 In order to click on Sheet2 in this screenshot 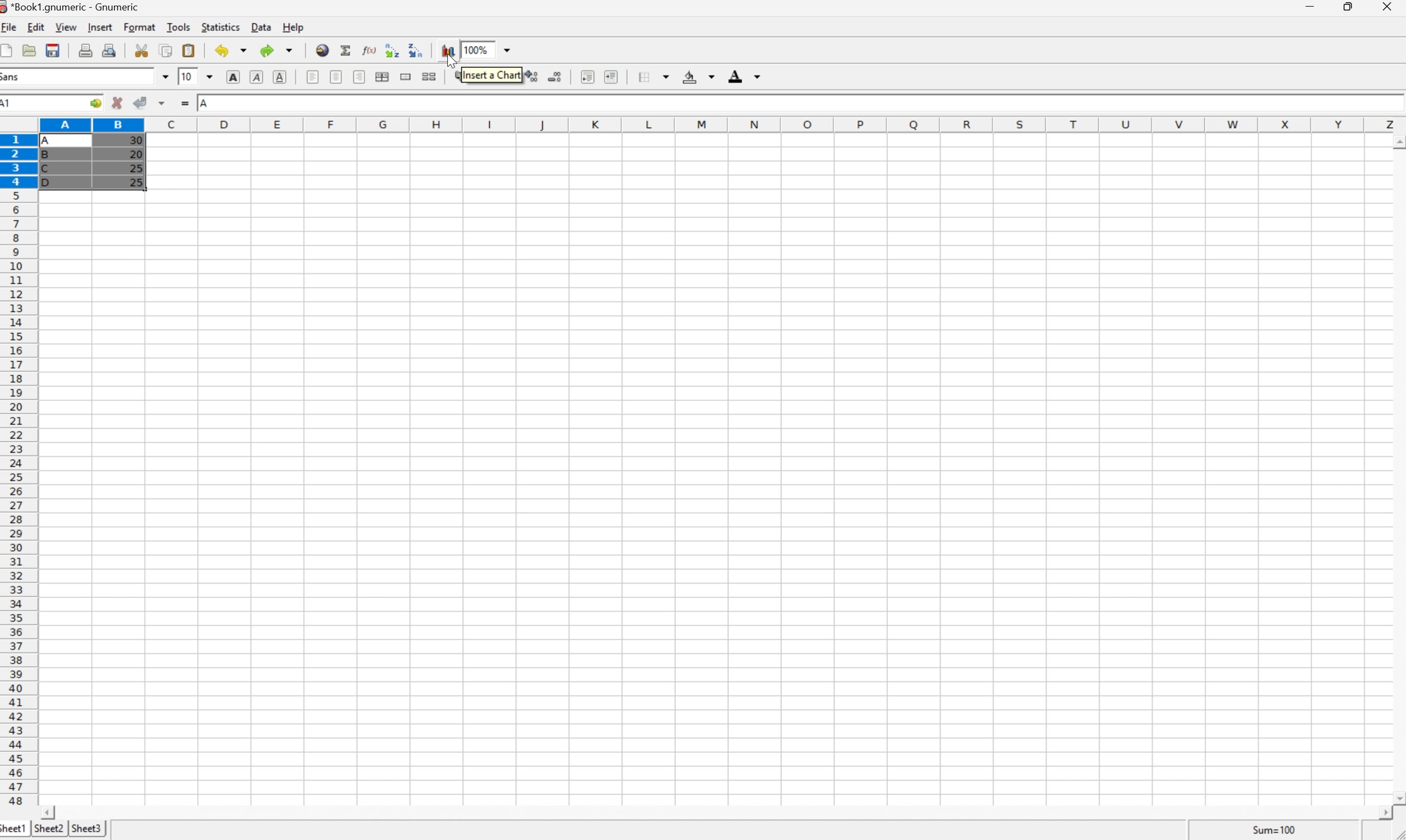, I will do `click(49, 829)`.